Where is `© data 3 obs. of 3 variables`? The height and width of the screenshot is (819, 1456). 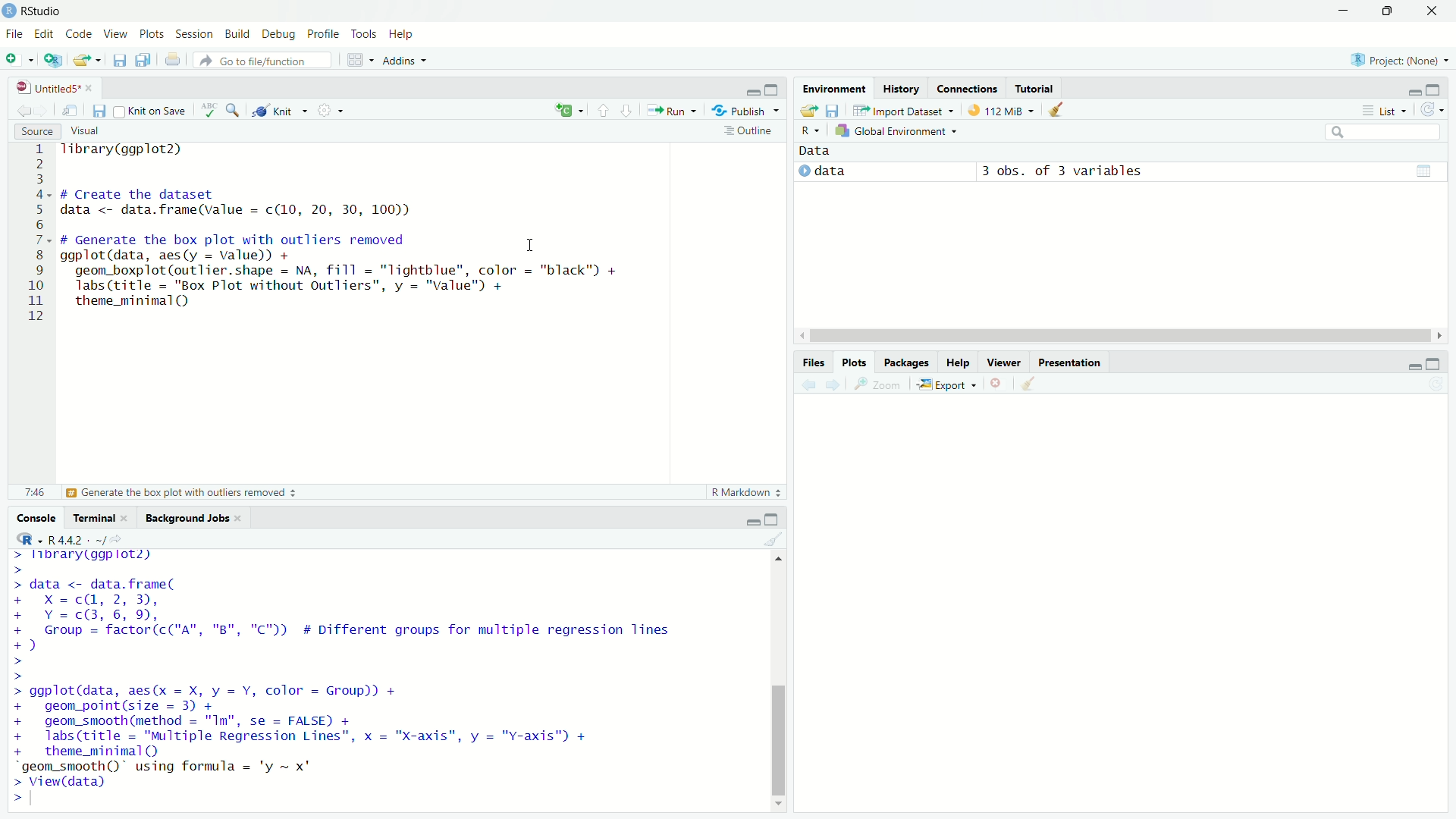
© data 3 obs. of 3 variables is located at coordinates (1008, 173).